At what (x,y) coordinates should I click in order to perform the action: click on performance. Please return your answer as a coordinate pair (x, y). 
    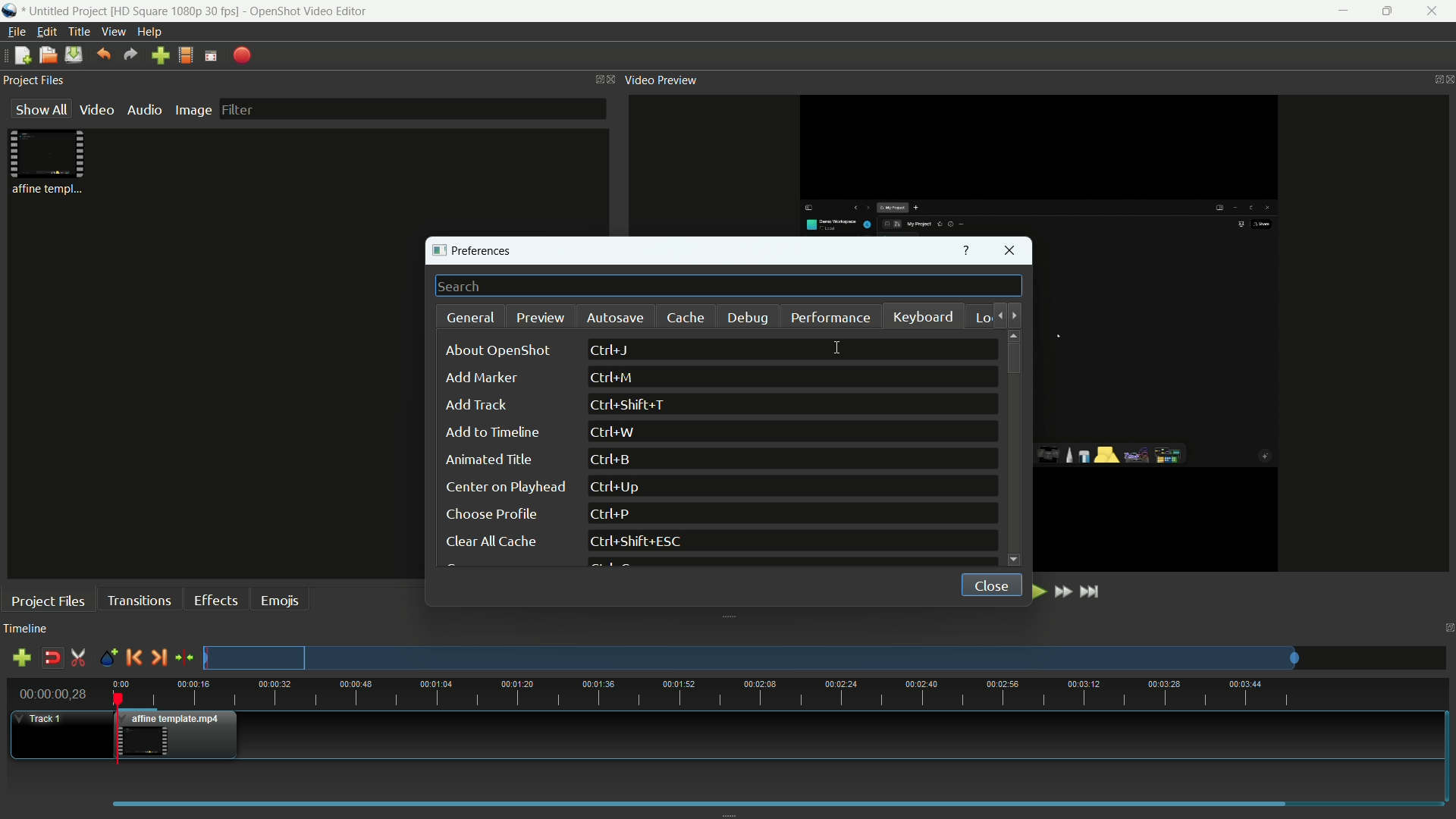
    Looking at the image, I should click on (830, 317).